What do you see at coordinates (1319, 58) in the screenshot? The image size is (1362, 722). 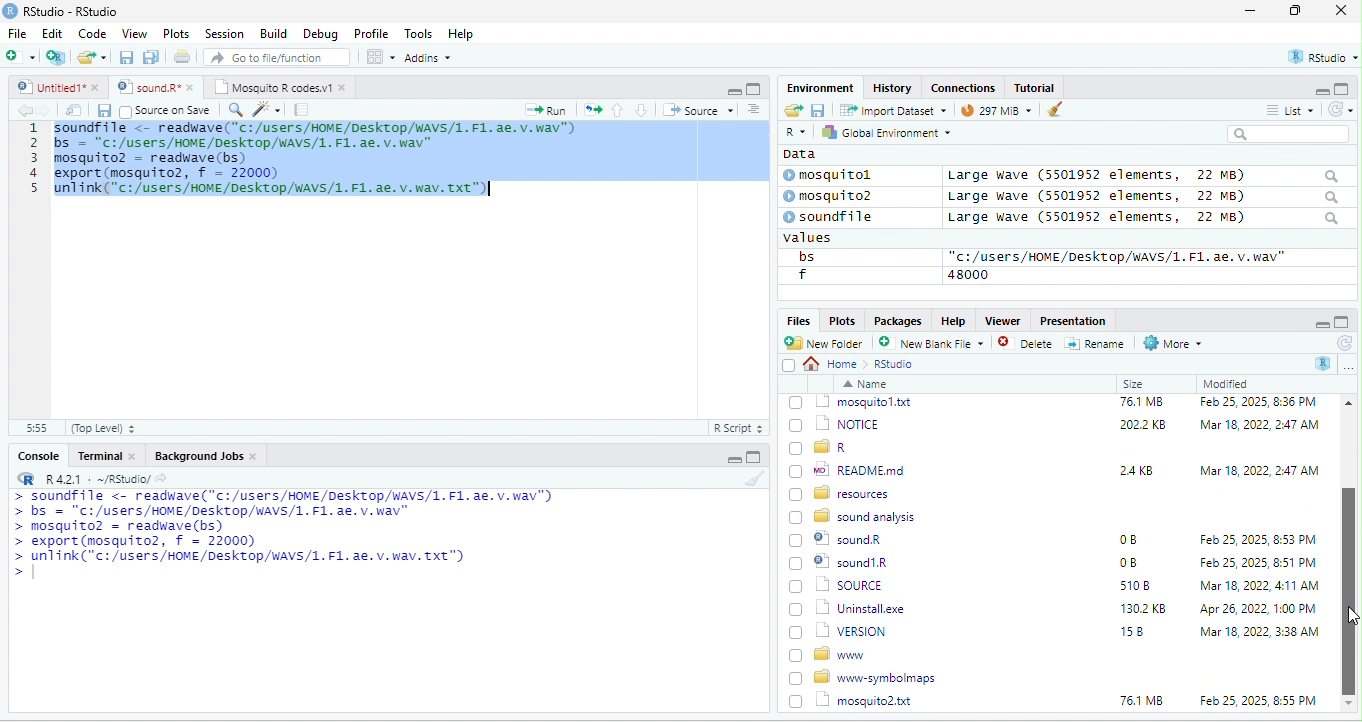 I see `rstudio` at bounding box center [1319, 58].